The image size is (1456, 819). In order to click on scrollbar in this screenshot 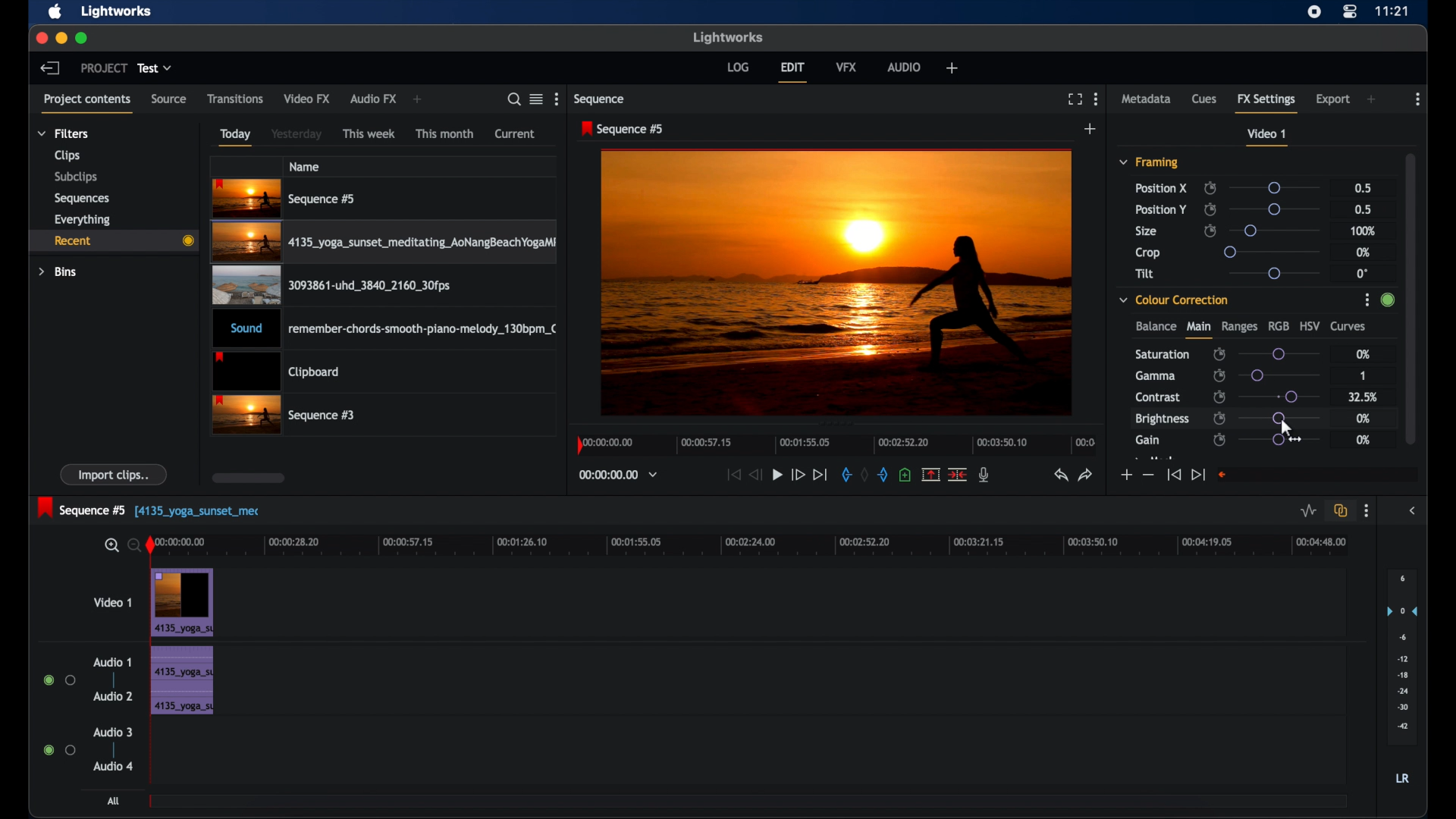, I will do `click(1413, 297)`.